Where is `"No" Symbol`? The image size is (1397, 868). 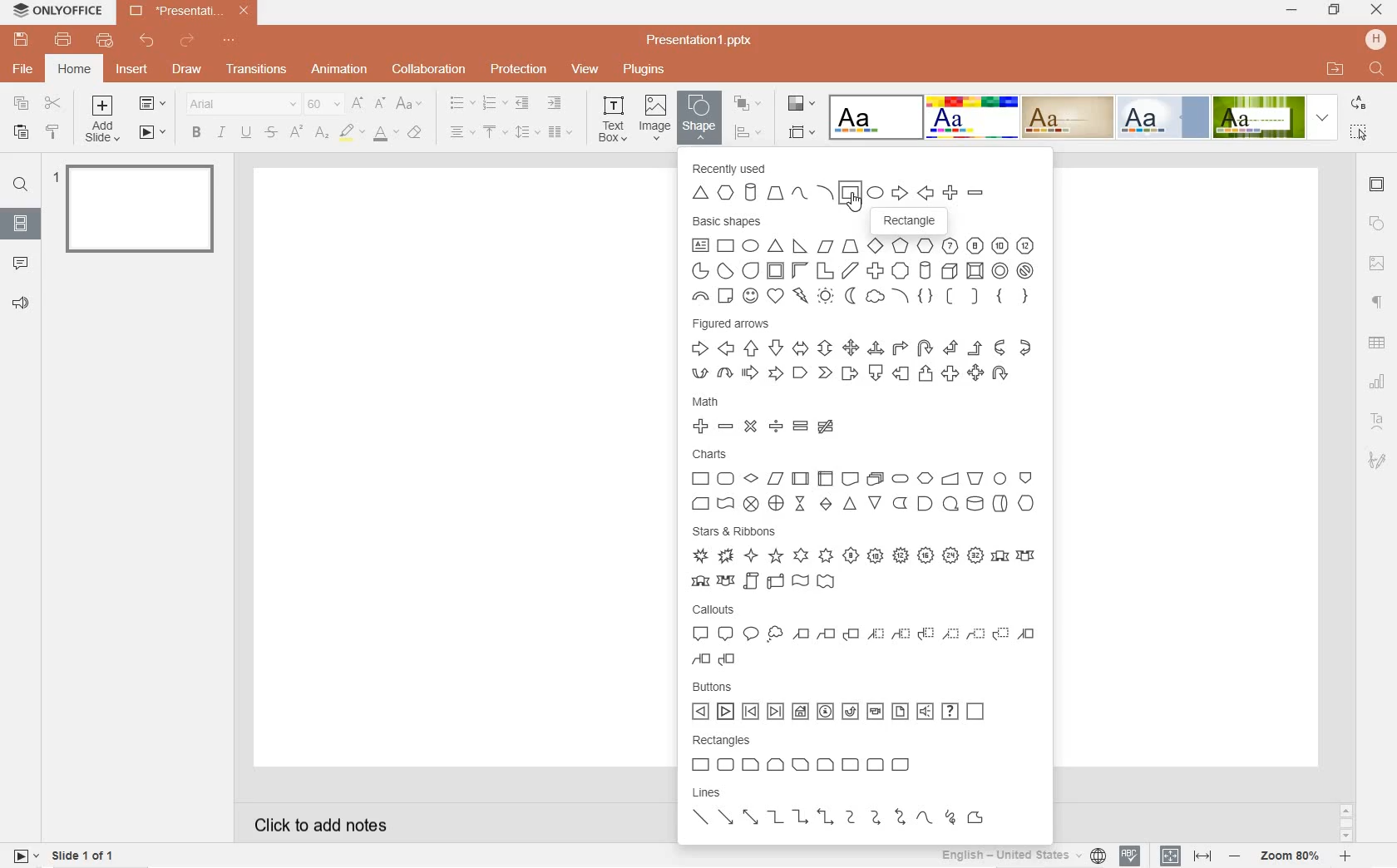
"No" Symbol is located at coordinates (1025, 272).